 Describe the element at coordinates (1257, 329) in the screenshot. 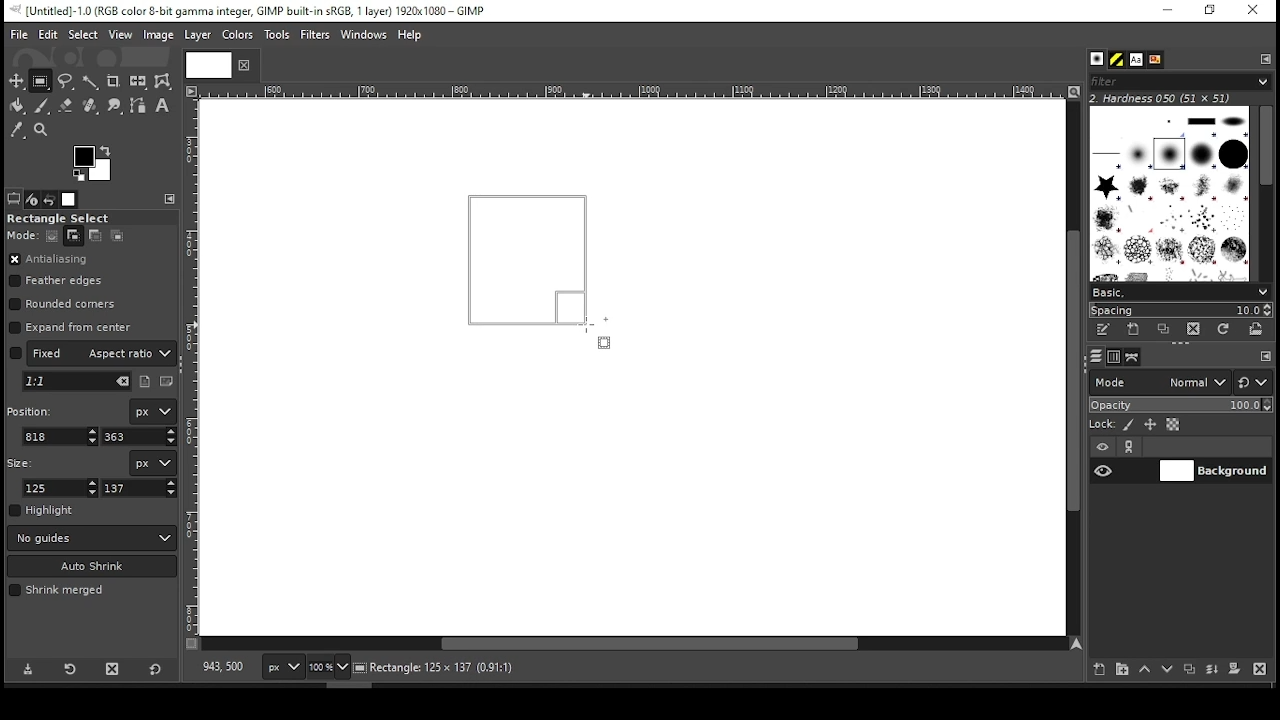

I see `open brush as image` at that location.